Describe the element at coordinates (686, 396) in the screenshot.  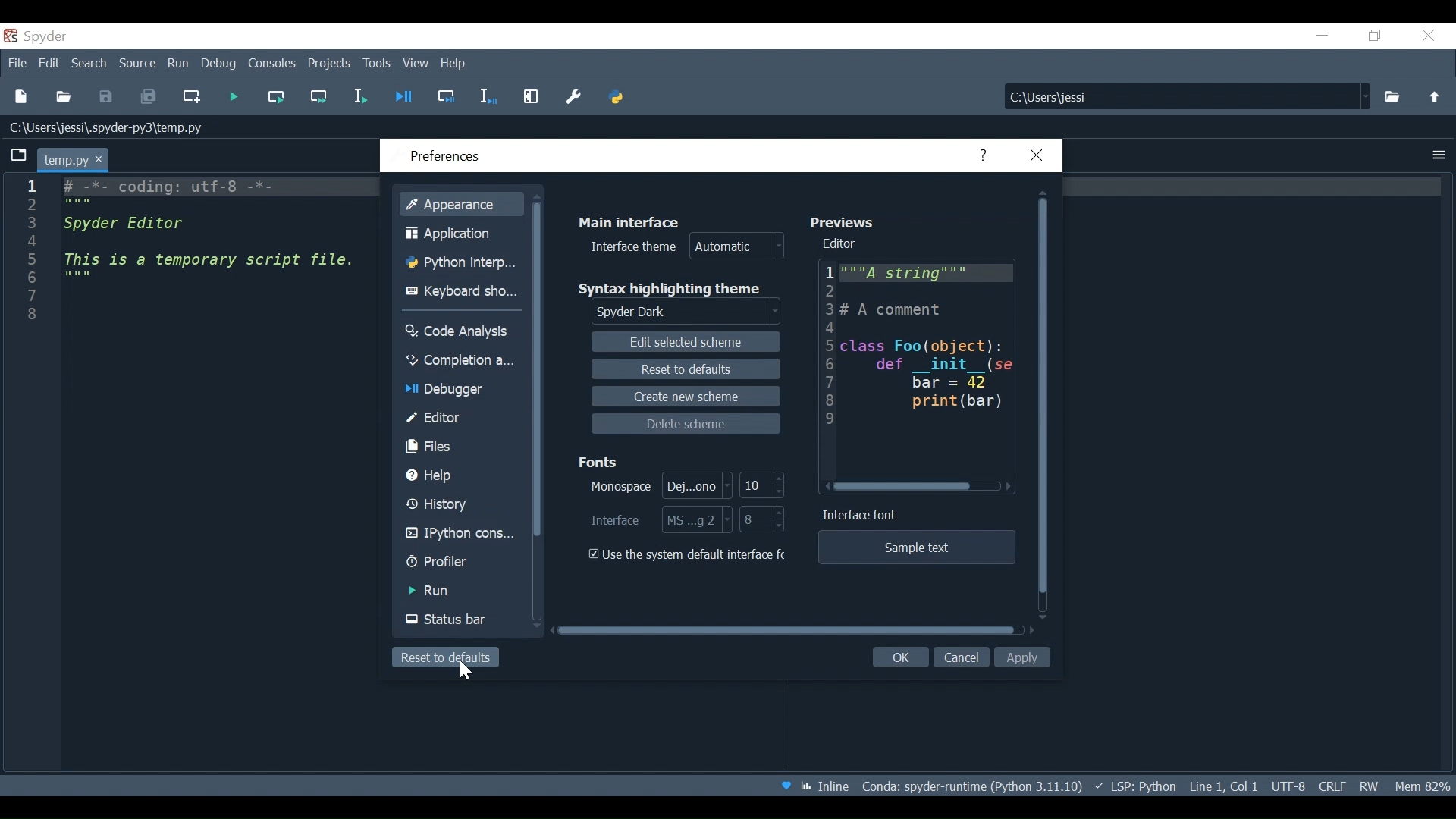
I see `Create new scheme` at that location.